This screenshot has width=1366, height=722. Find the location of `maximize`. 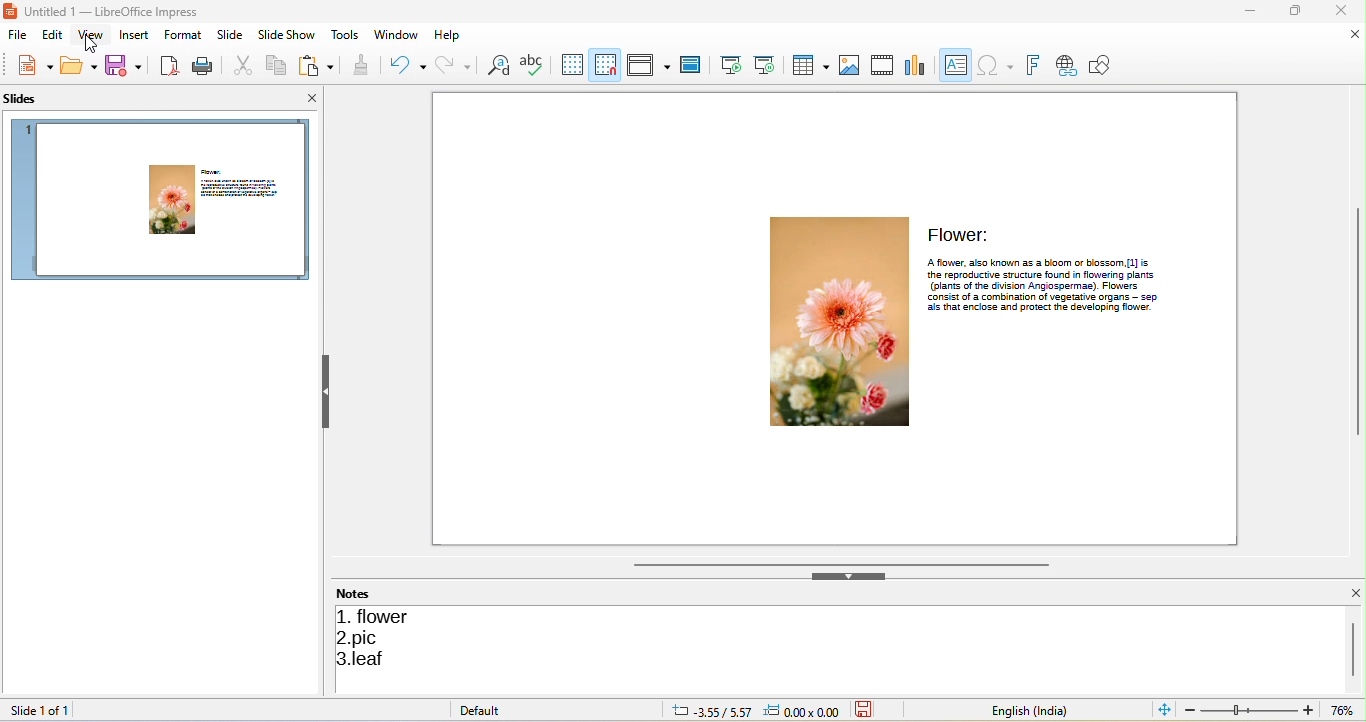

maximize is located at coordinates (1299, 11).